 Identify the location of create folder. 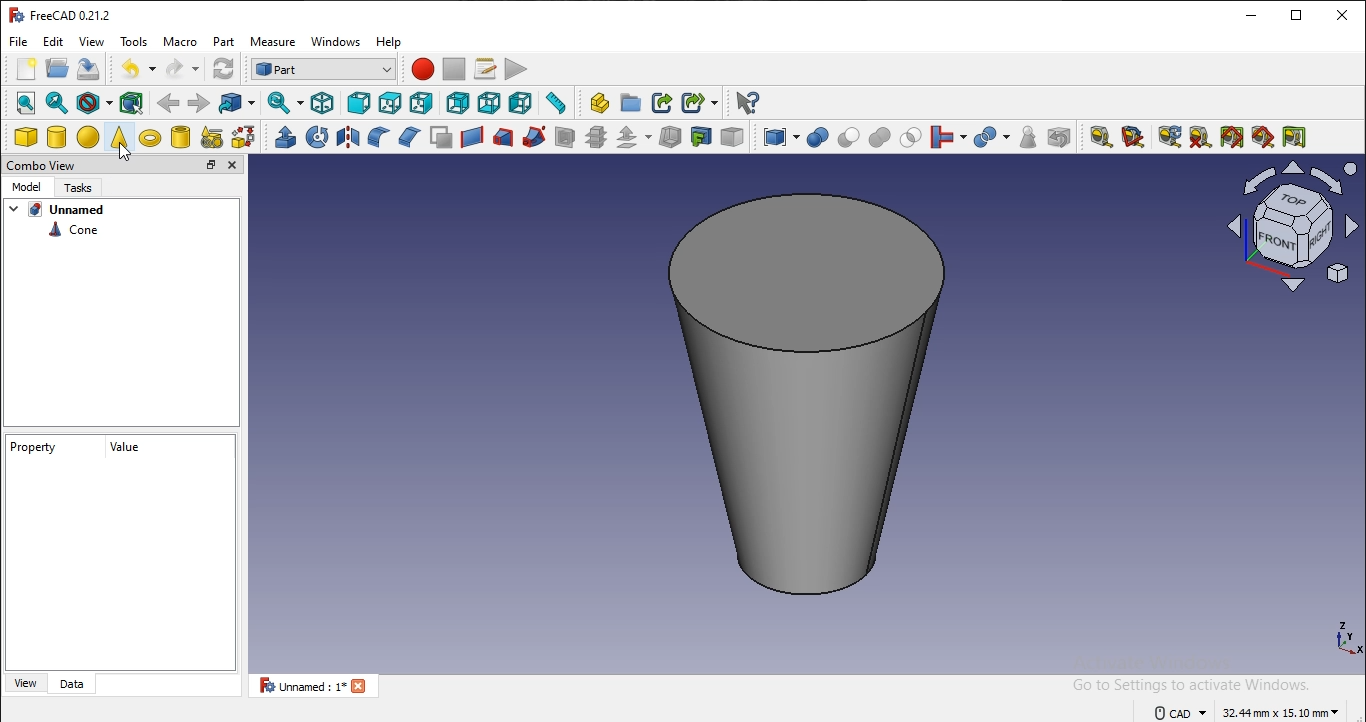
(633, 101).